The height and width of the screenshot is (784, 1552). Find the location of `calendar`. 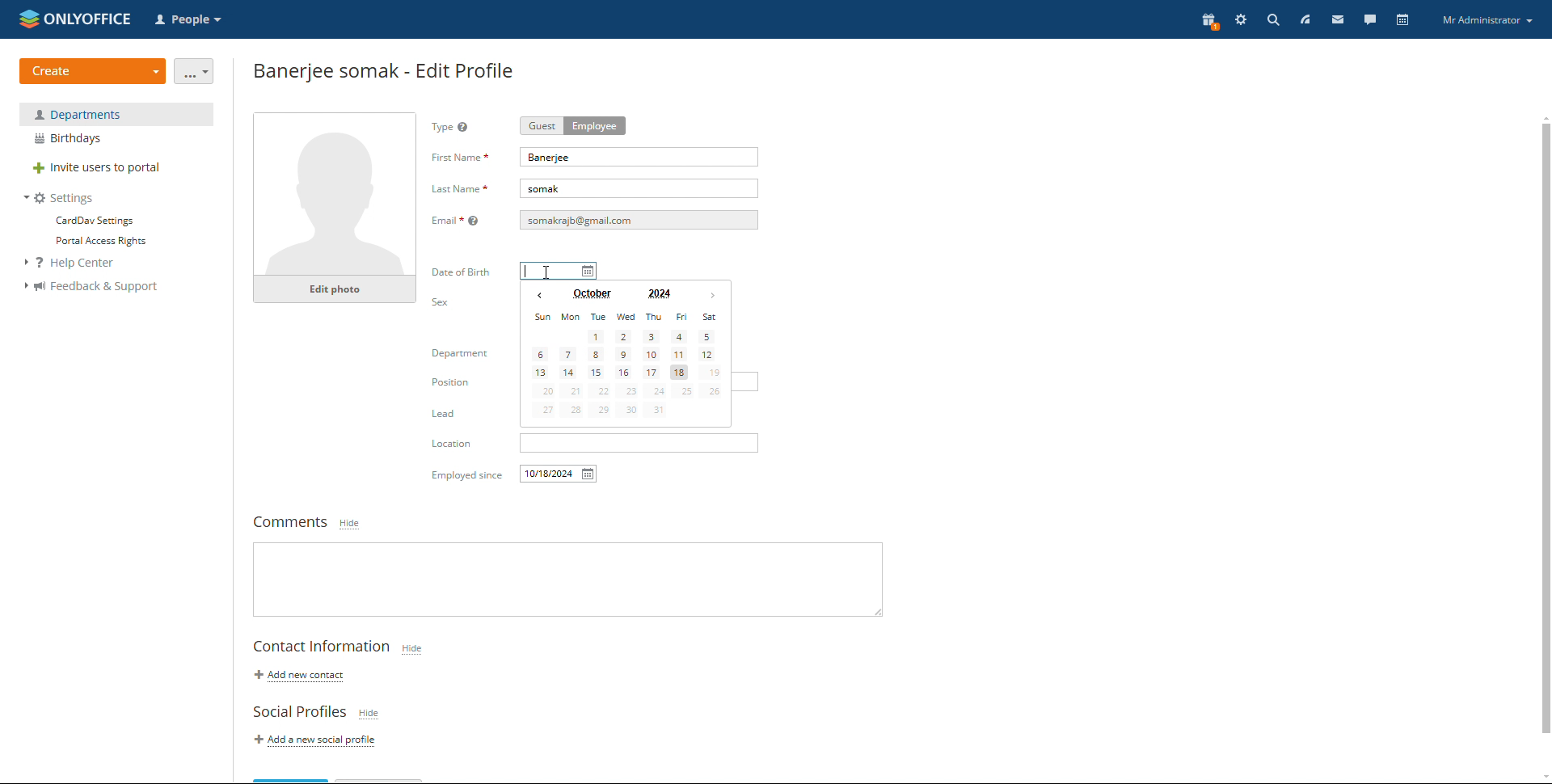

calendar is located at coordinates (1402, 19).